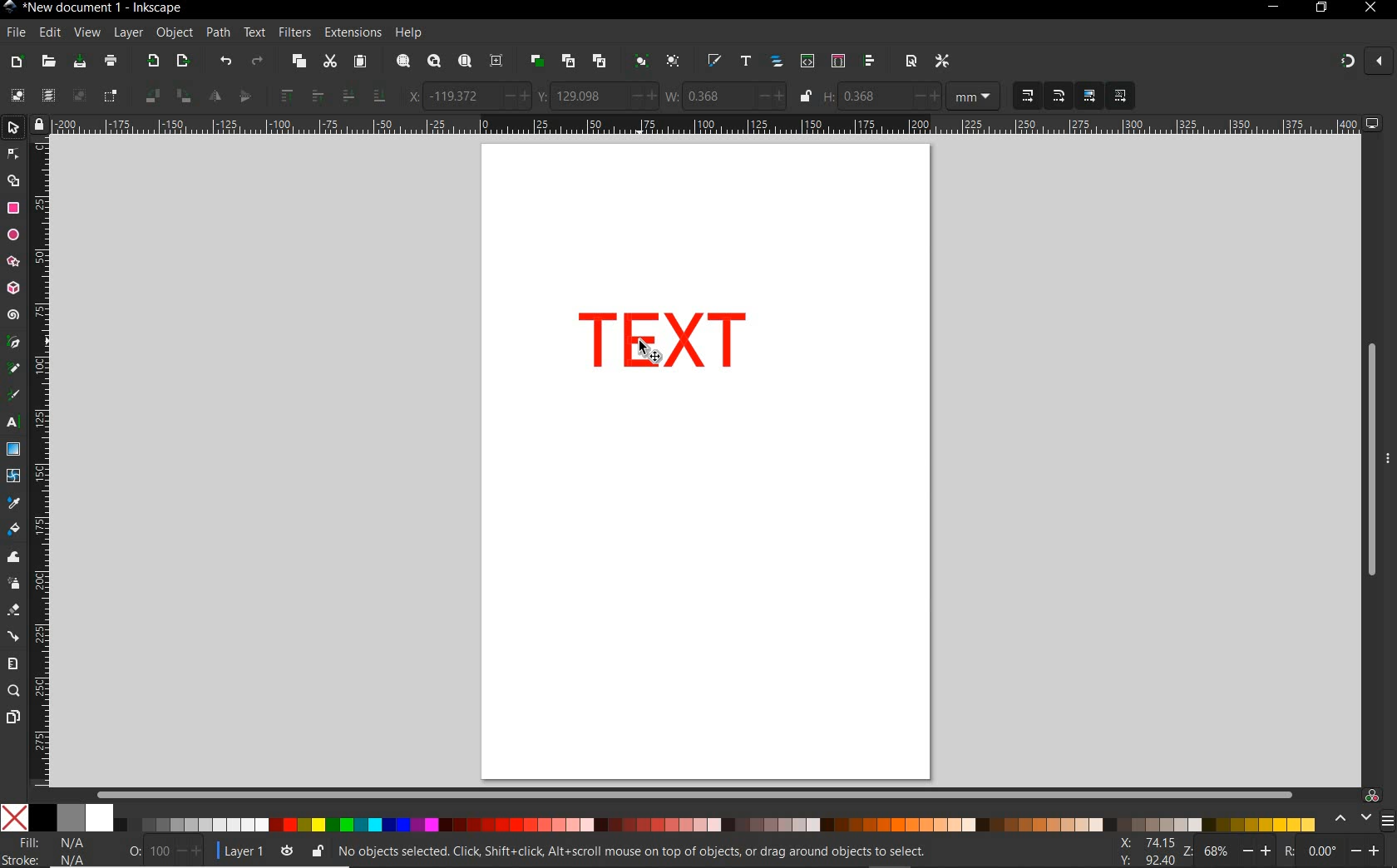 This screenshot has height=868, width=1397. I want to click on LOCK/UNLOCK HEIGHT/WIDTH, so click(807, 96).